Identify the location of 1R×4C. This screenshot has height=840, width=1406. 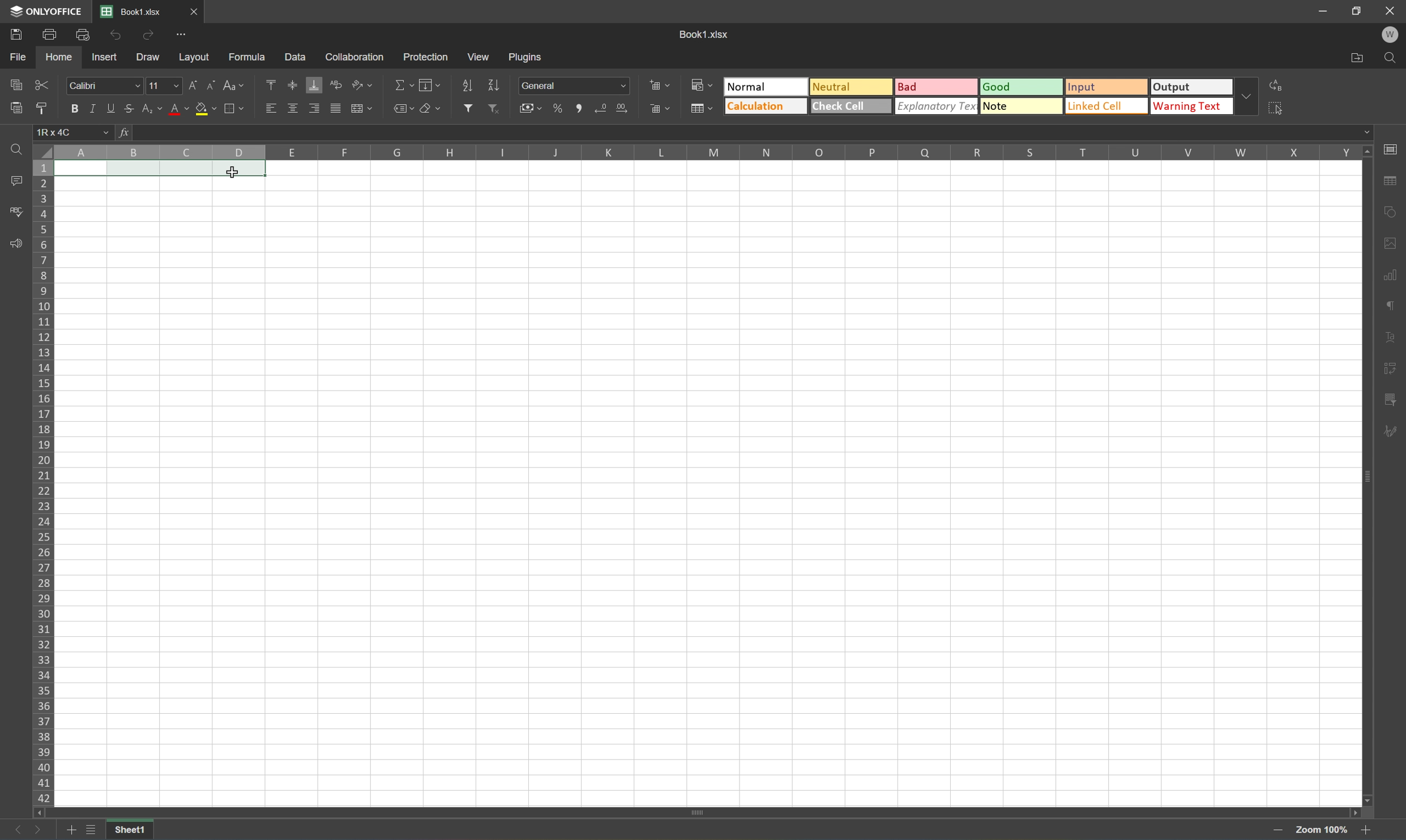
(75, 134).